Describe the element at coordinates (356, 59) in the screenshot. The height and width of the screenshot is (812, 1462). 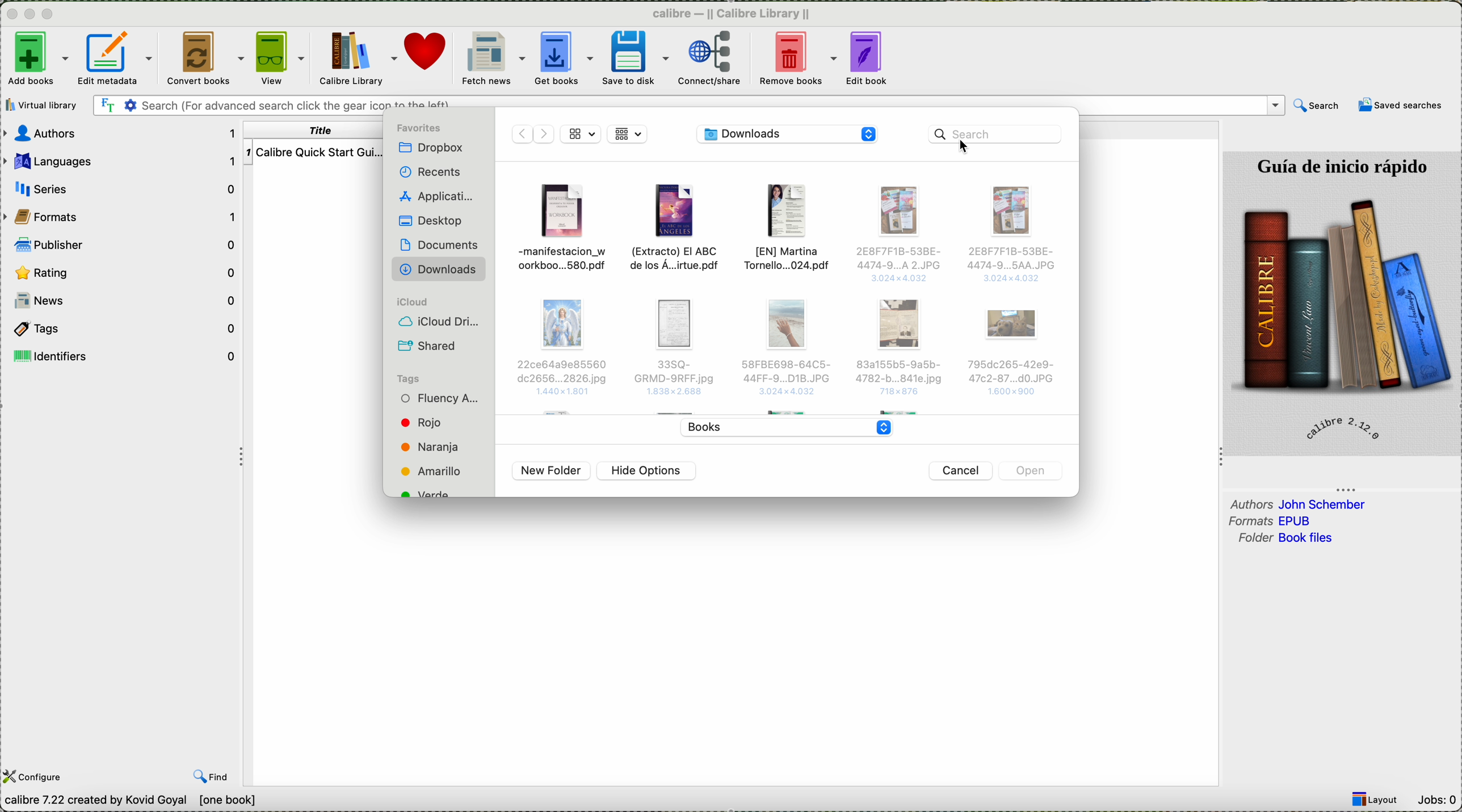
I see `Calibre library` at that location.